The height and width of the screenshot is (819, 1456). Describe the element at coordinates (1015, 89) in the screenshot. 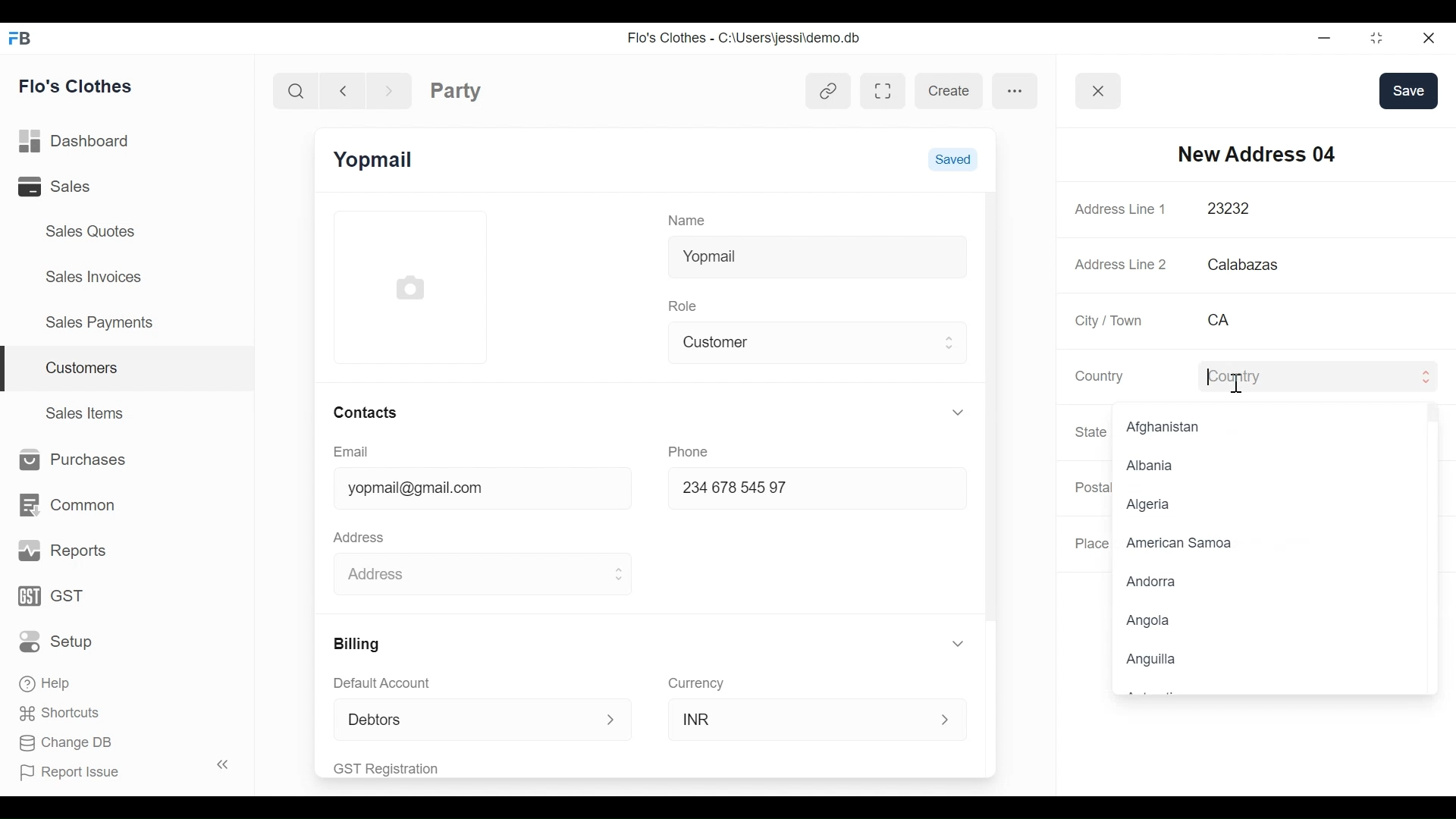

I see `more` at that location.